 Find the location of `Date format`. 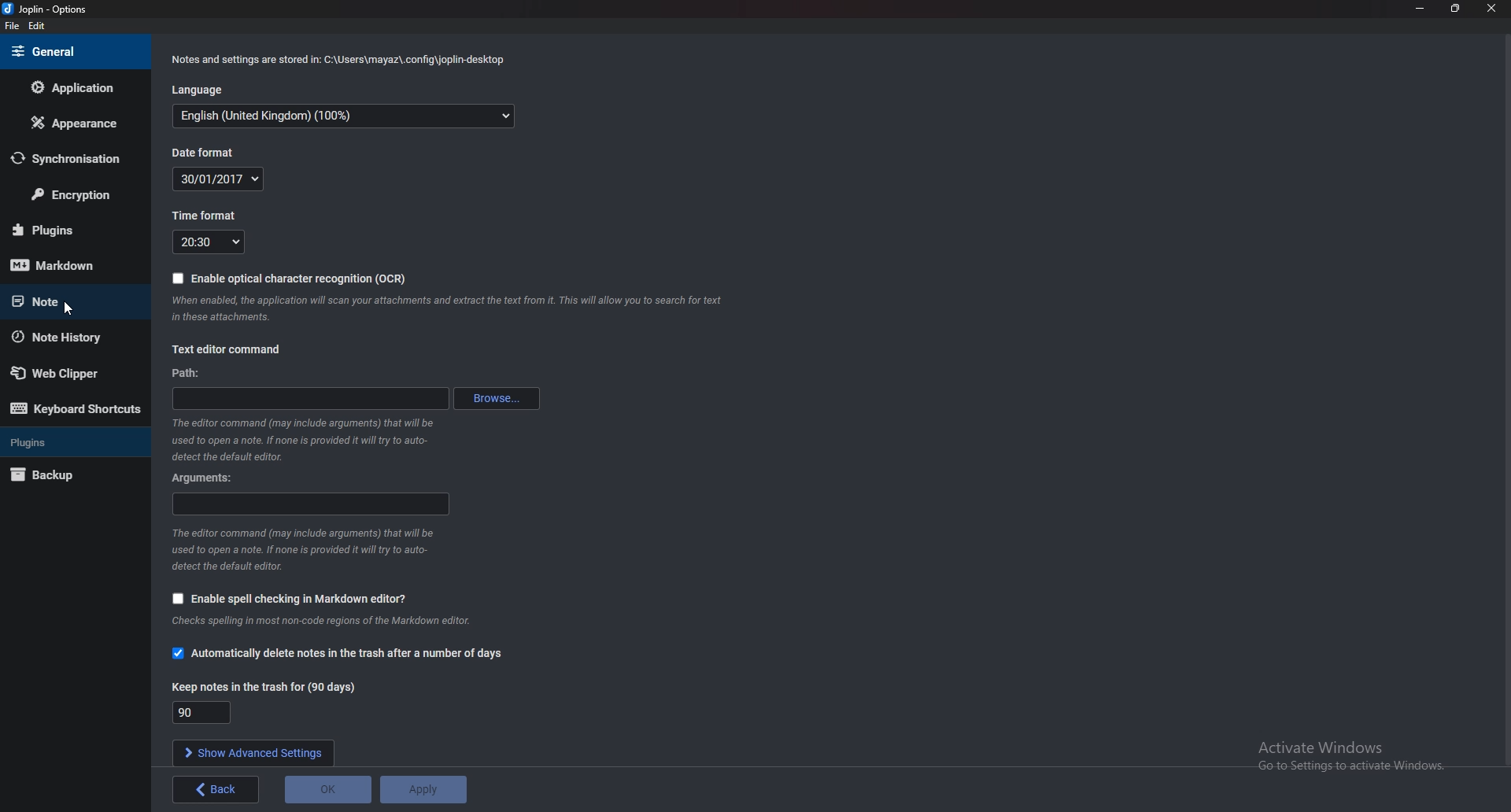

Date format is located at coordinates (205, 154).